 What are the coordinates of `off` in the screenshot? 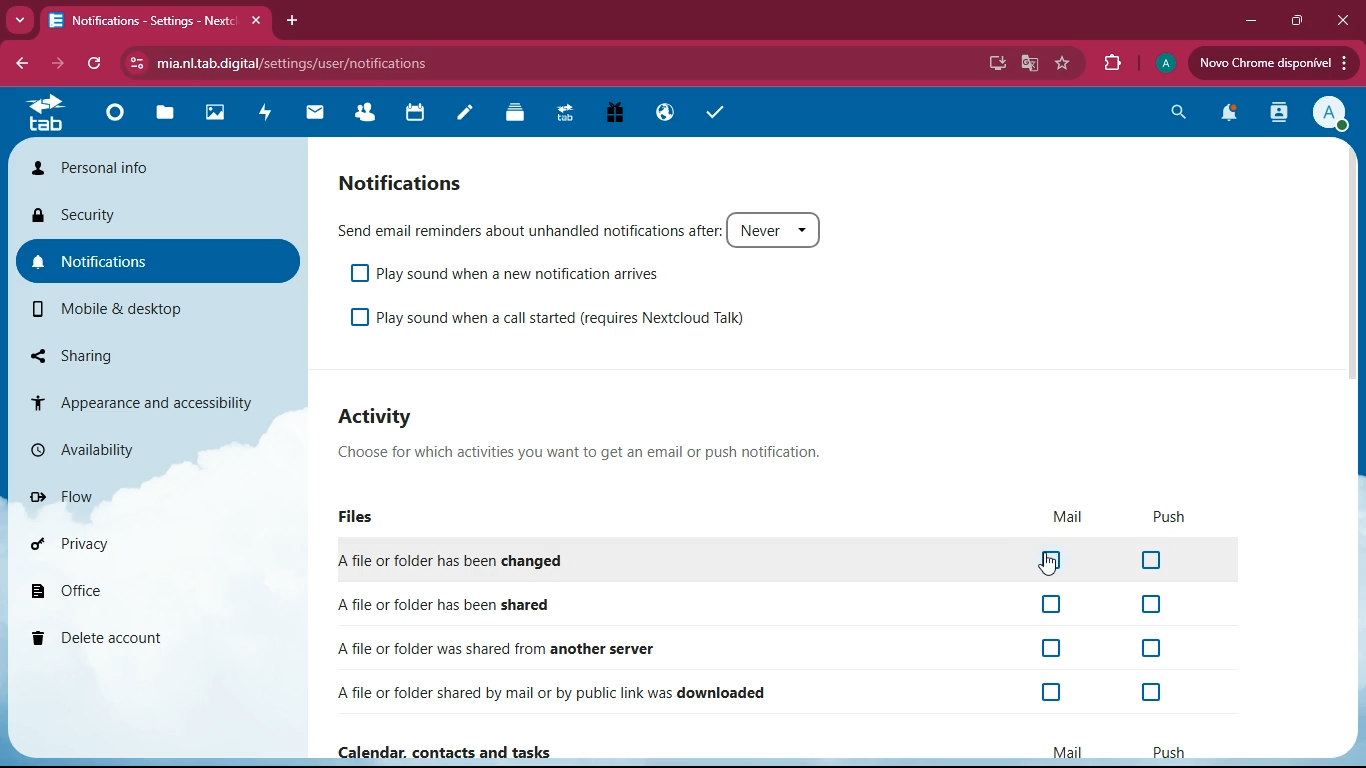 It's located at (1152, 560).